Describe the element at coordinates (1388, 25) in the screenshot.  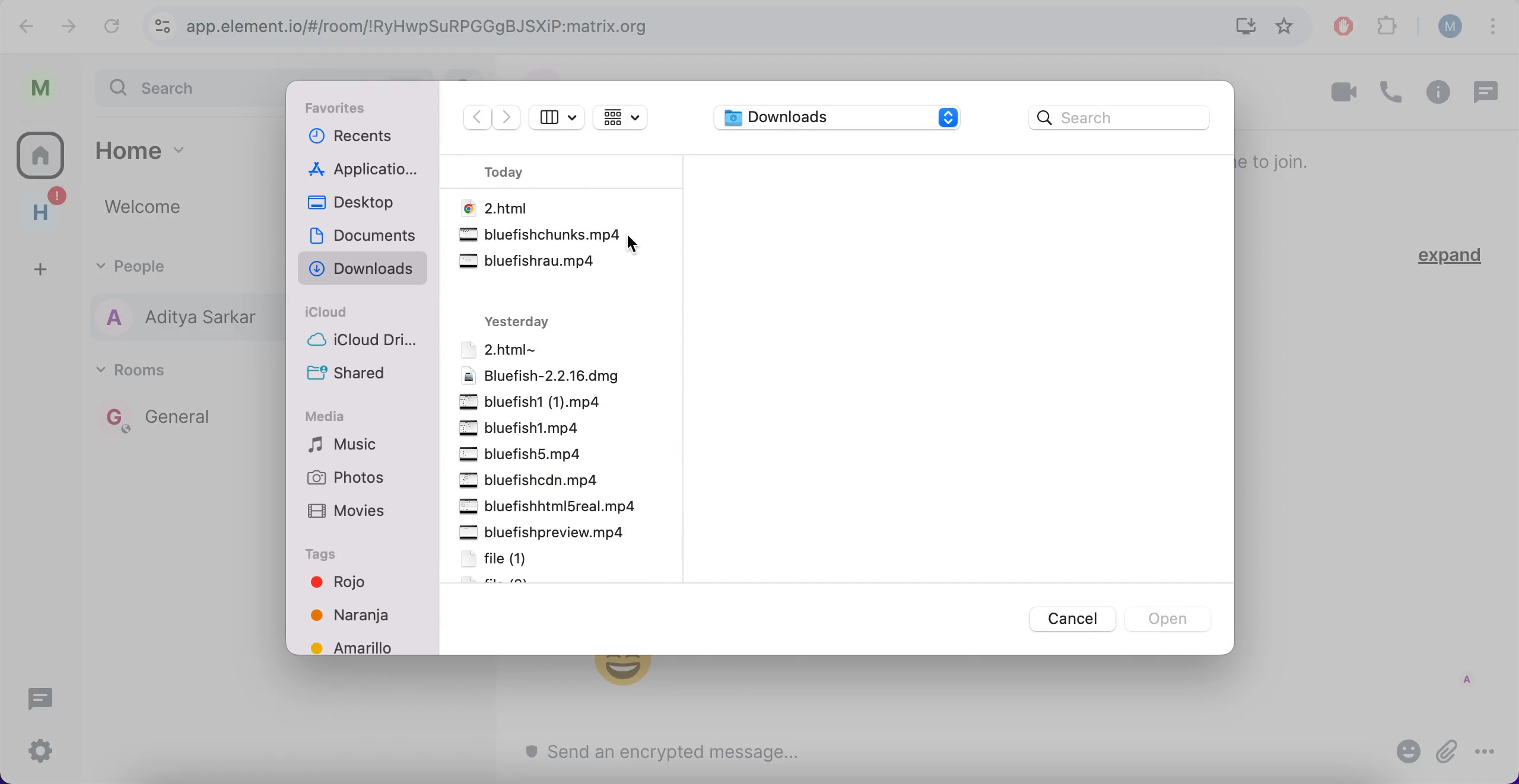
I see `extensions` at that location.